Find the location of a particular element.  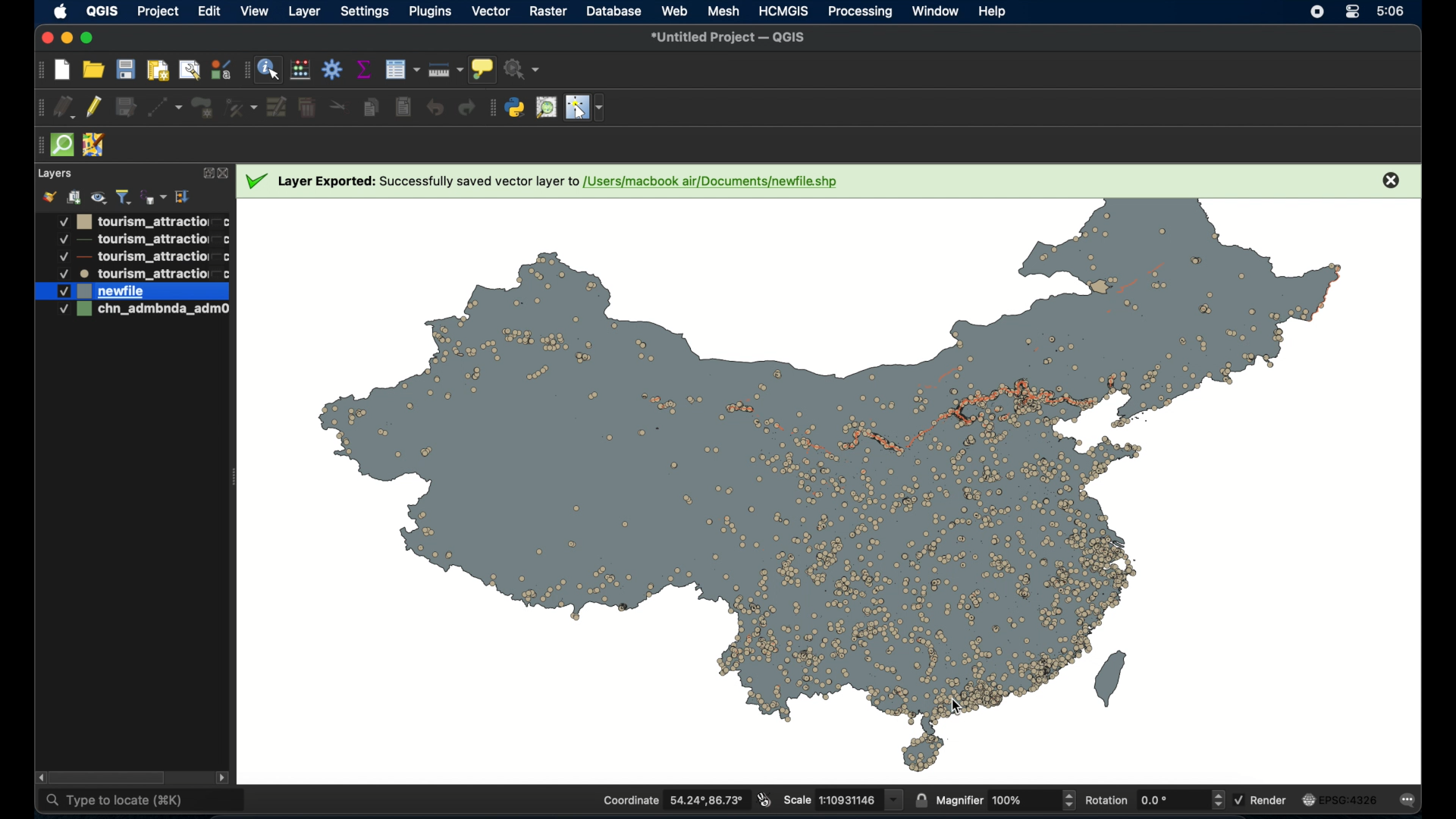

close is located at coordinates (45, 38).